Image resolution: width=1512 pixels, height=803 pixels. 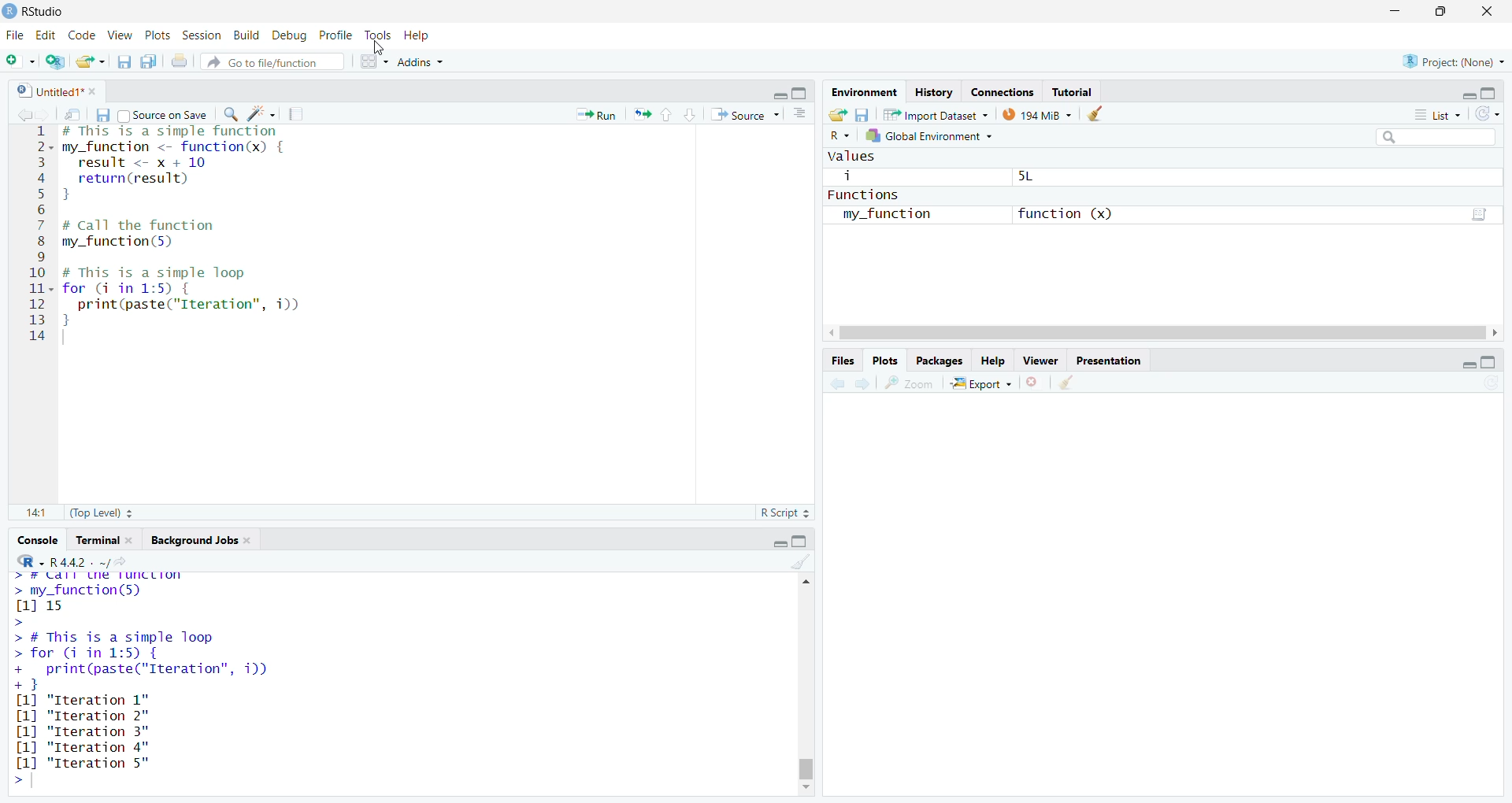 I want to click on my_function, so click(x=891, y=214).